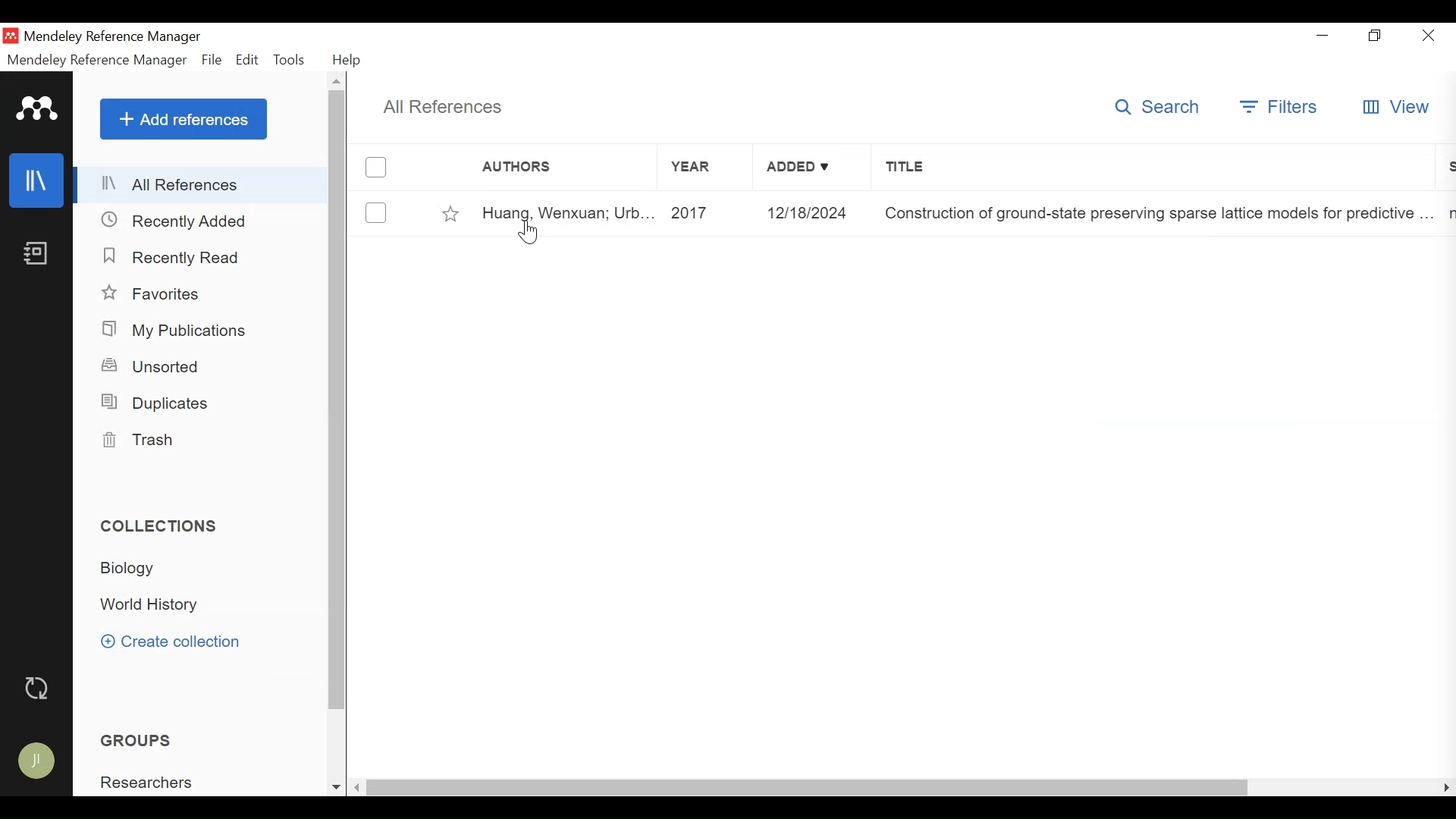  What do you see at coordinates (155, 293) in the screenshot?
I see `Favorites` at bounding box center [155, 293].